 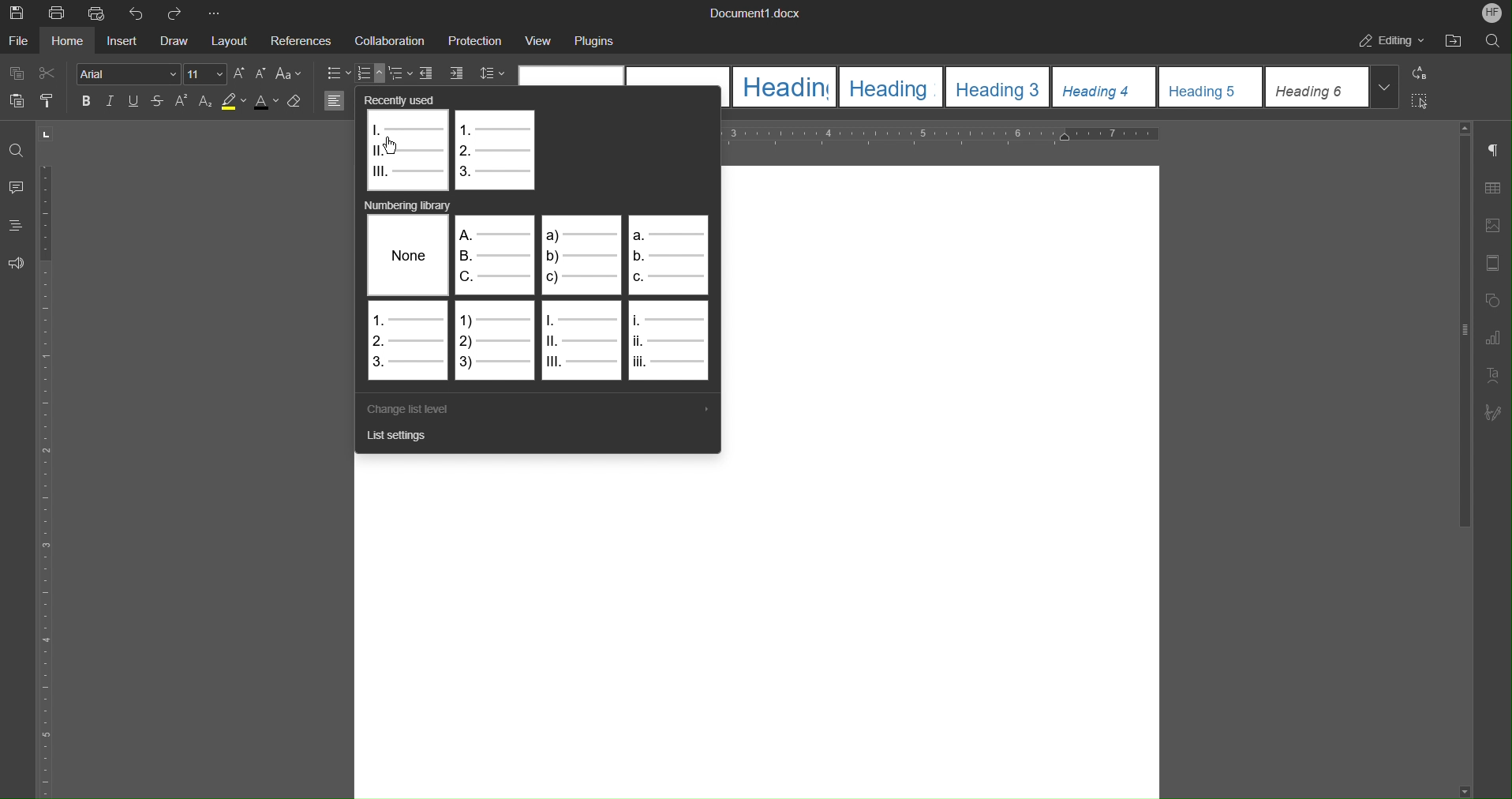 I want to click on Heading 3, so click(x=997, y=85).